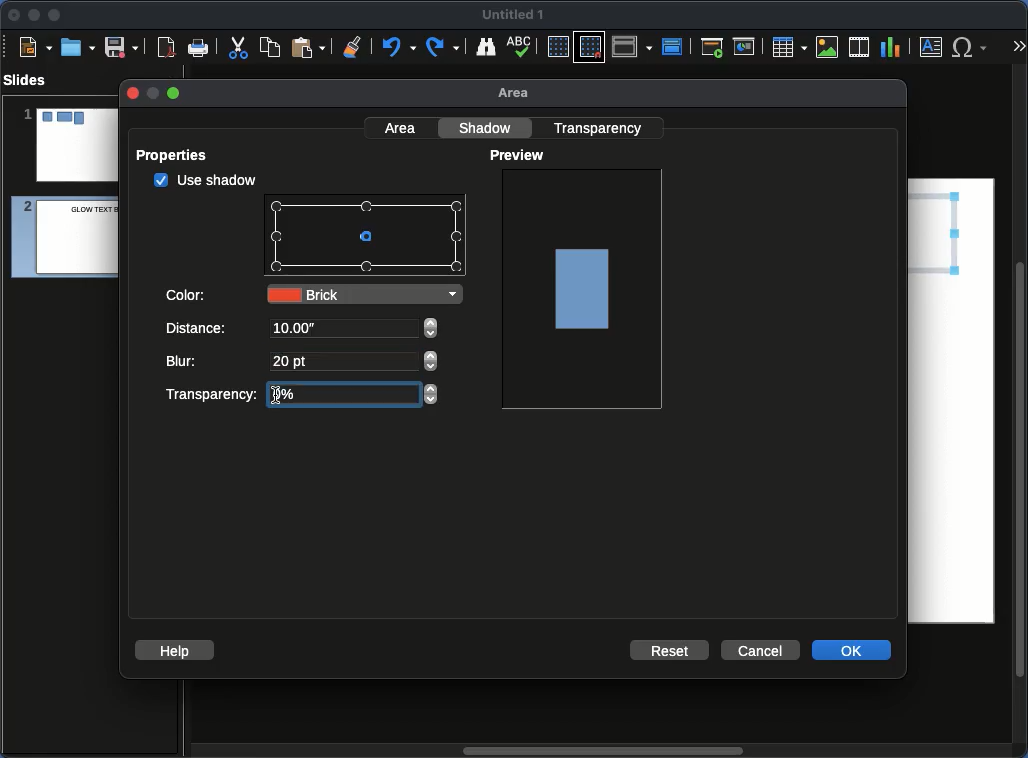 The height and width of the screenshot is (758, 1028). I want to click on Brick, so click(364, 294).